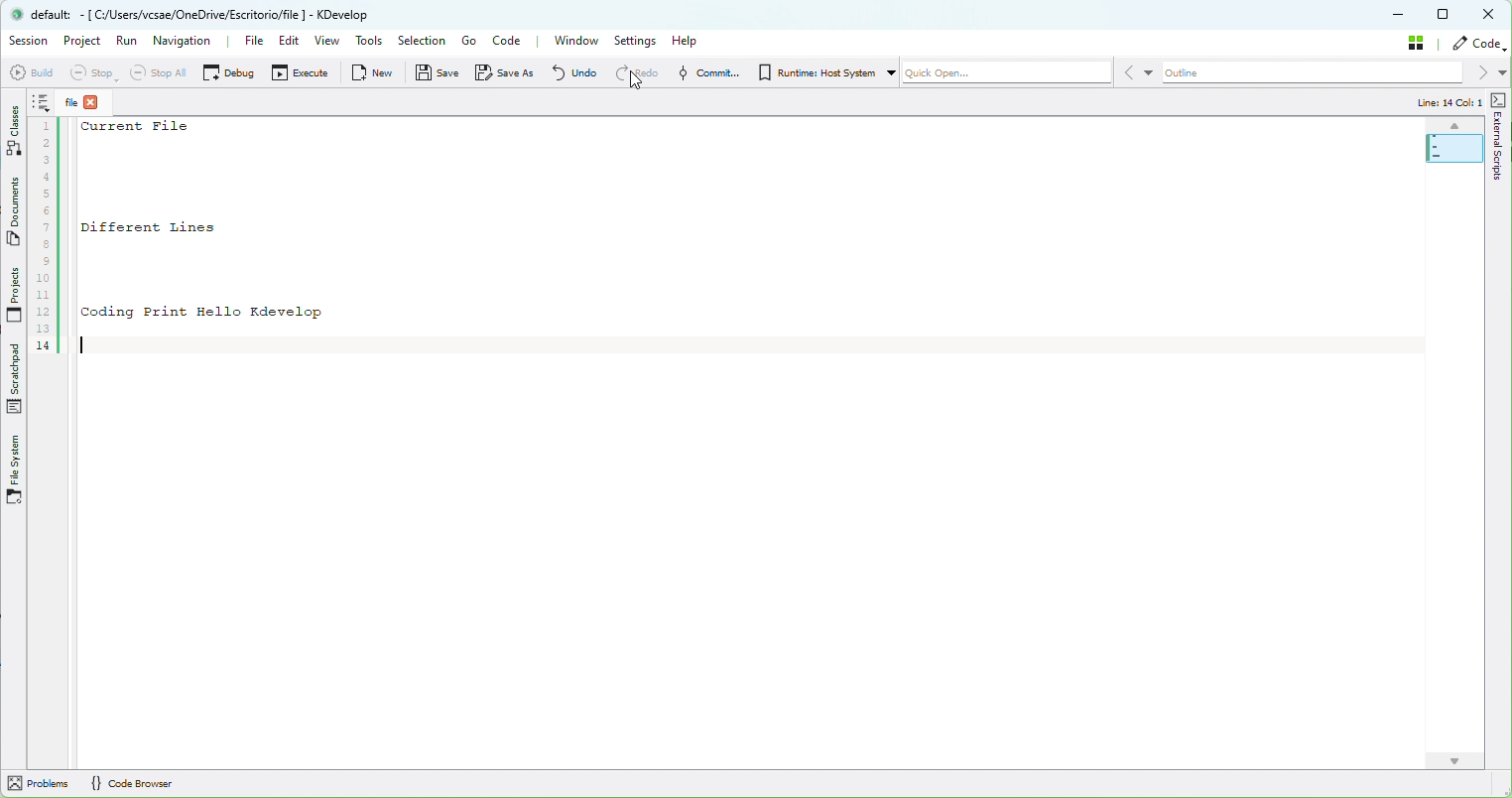 The image size is (1512, 798). I want to click on Projects, so click(18, 292).